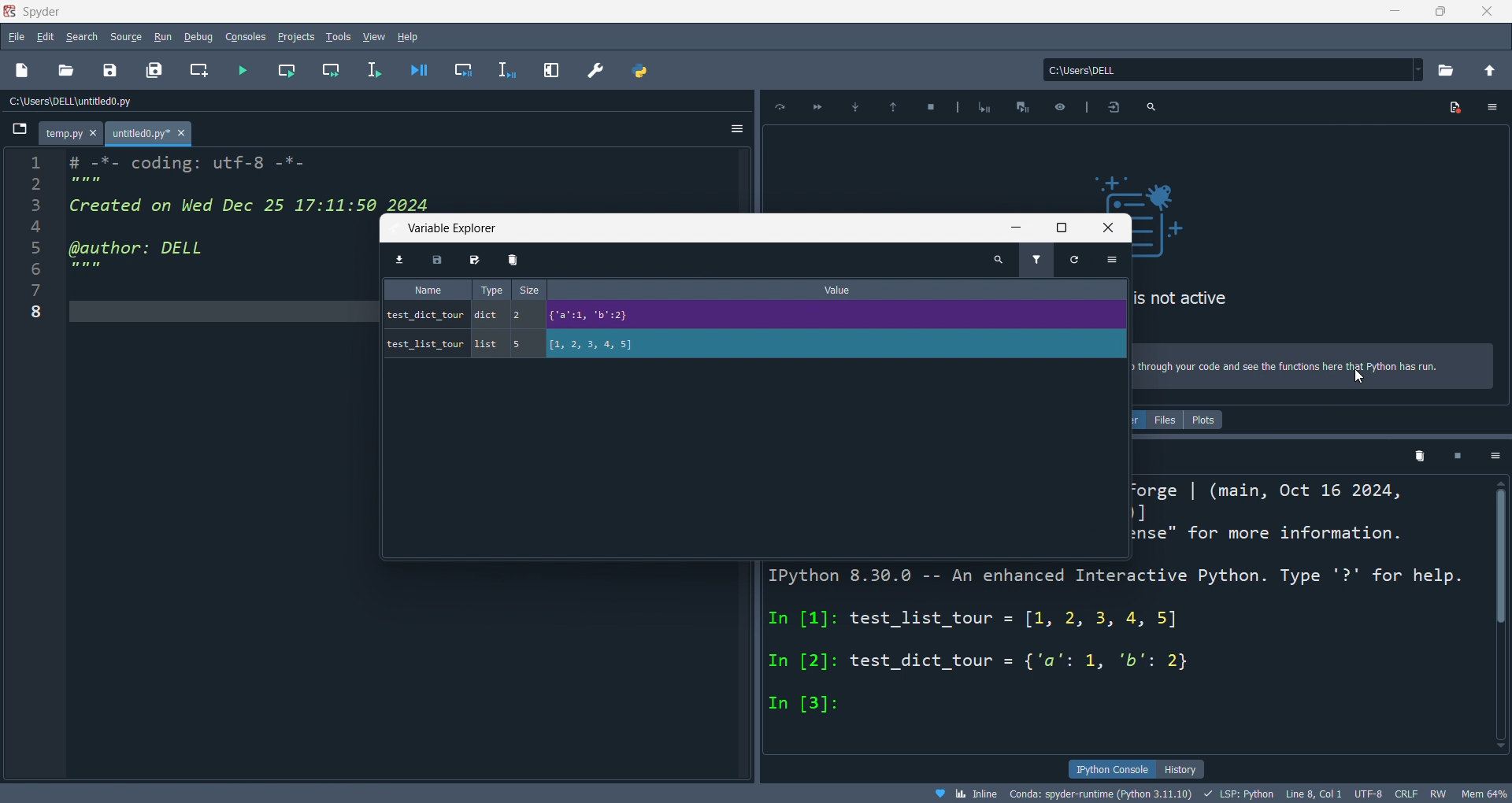  I want to click on console, so click(245, 37).